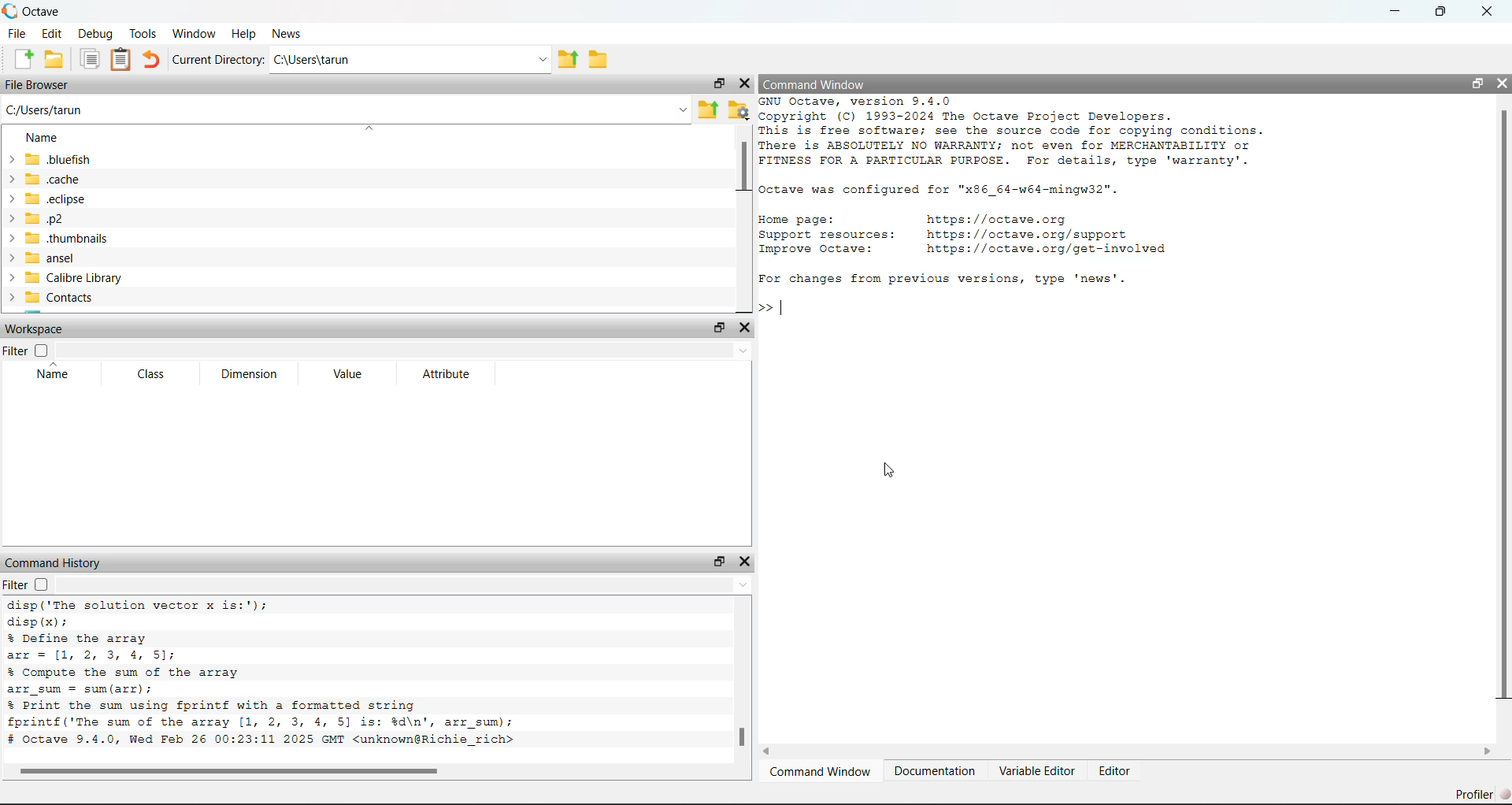  What do you see at coordinates (786, 308) in the screenshot?
I see `Tap text` at bounding box center [786, 308].